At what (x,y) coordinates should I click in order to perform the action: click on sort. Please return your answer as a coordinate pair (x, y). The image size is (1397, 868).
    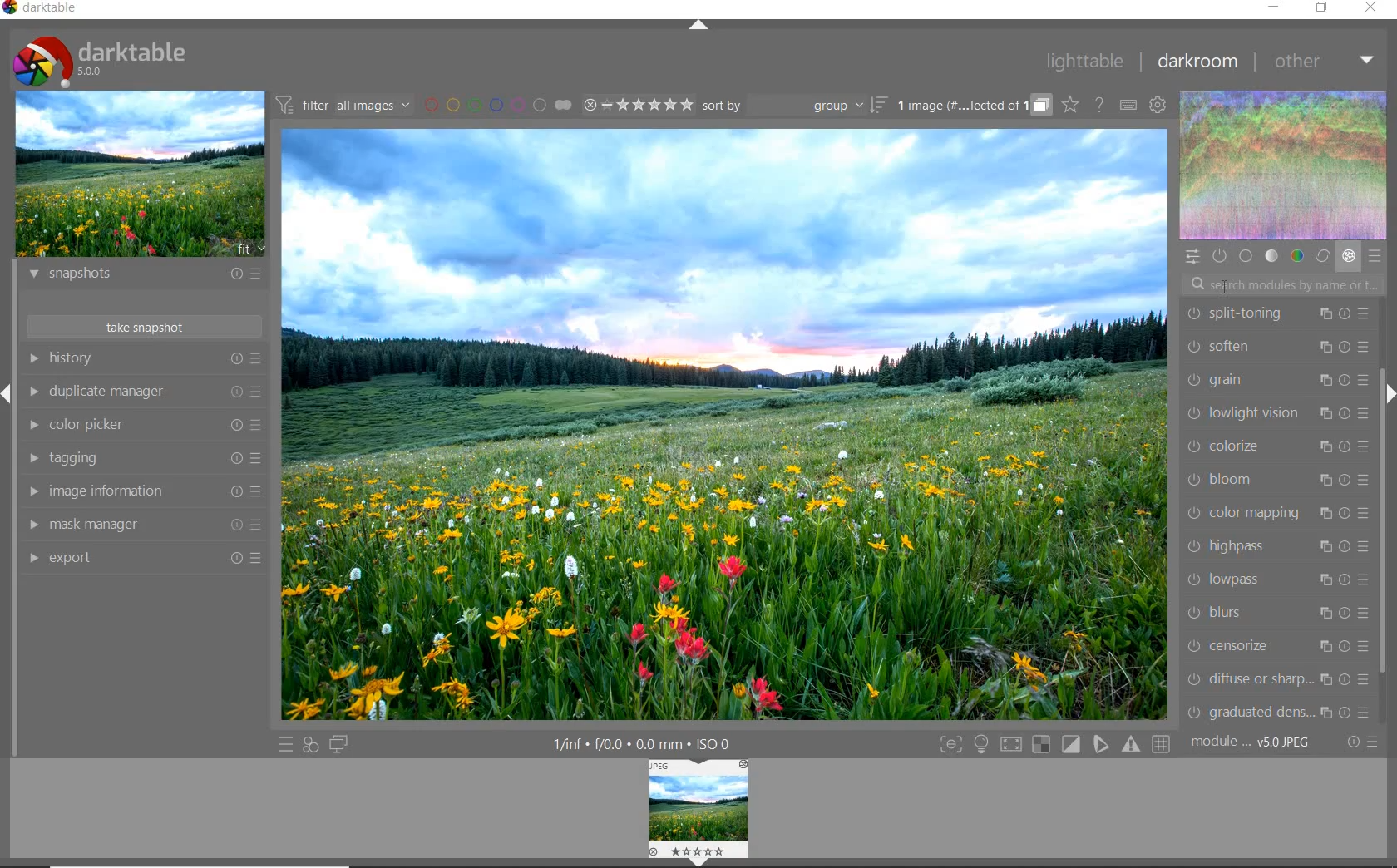
    Looking at the image, I should click on (793, 107).